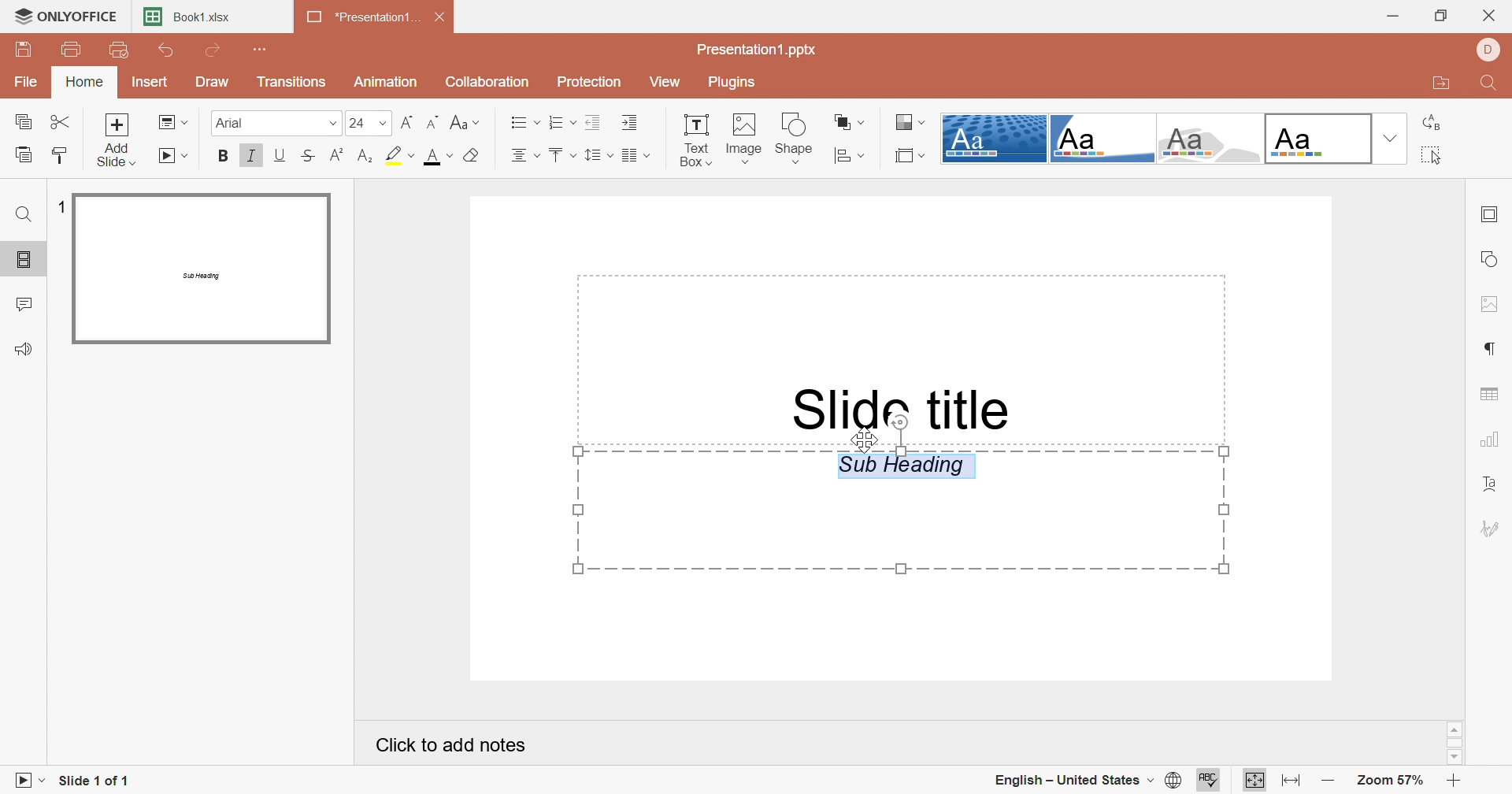 The height and width of the screenshot is (794, 1512). What do you see at coordinates (276, 122) in the screenshot?
I see `Arial` at bounding box center [276, 122].